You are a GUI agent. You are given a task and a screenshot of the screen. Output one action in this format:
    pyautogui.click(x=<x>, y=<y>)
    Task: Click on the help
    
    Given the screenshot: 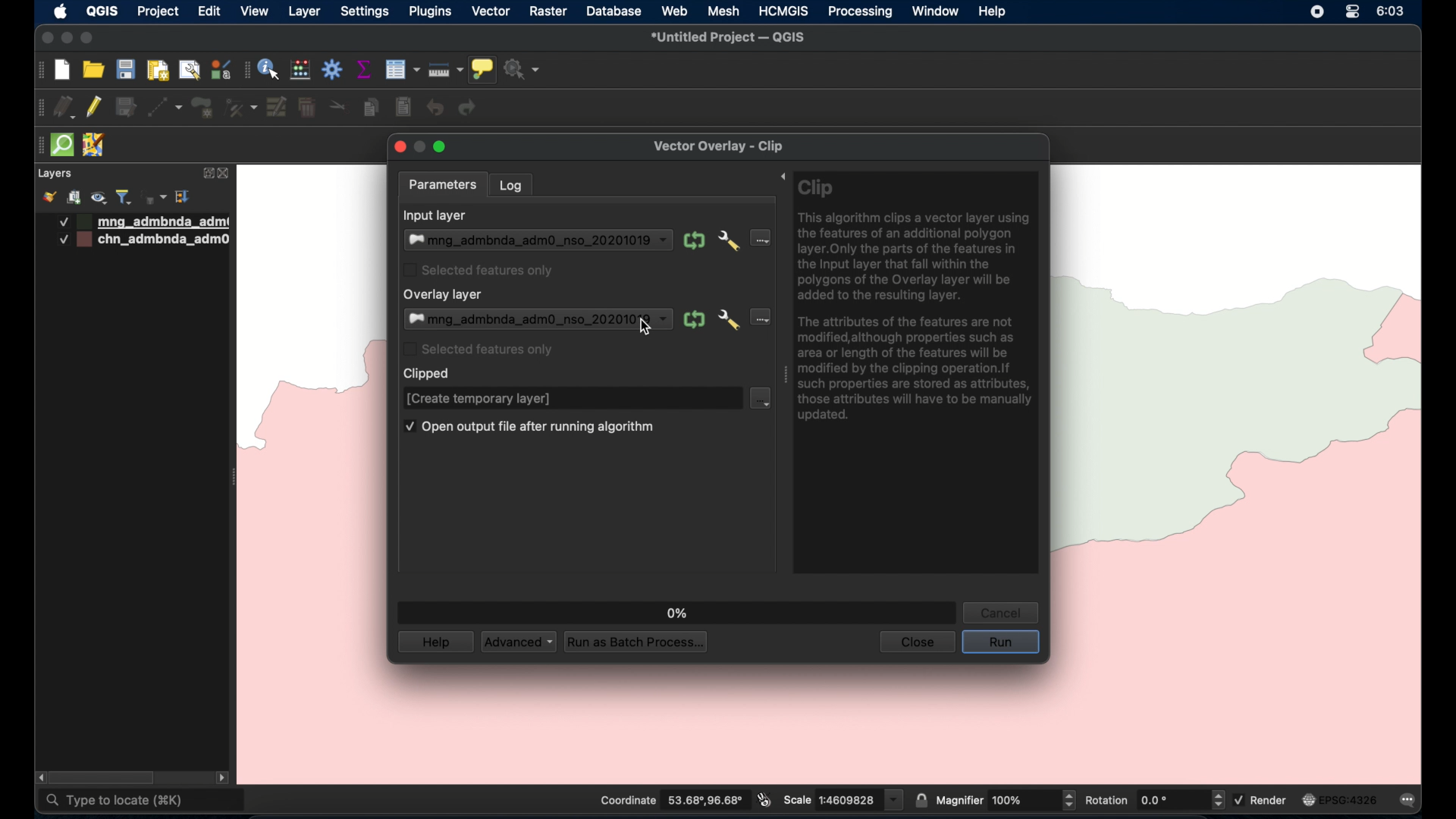 What is the action you would take?
    pyautogui.click(x=435, y=642)
    